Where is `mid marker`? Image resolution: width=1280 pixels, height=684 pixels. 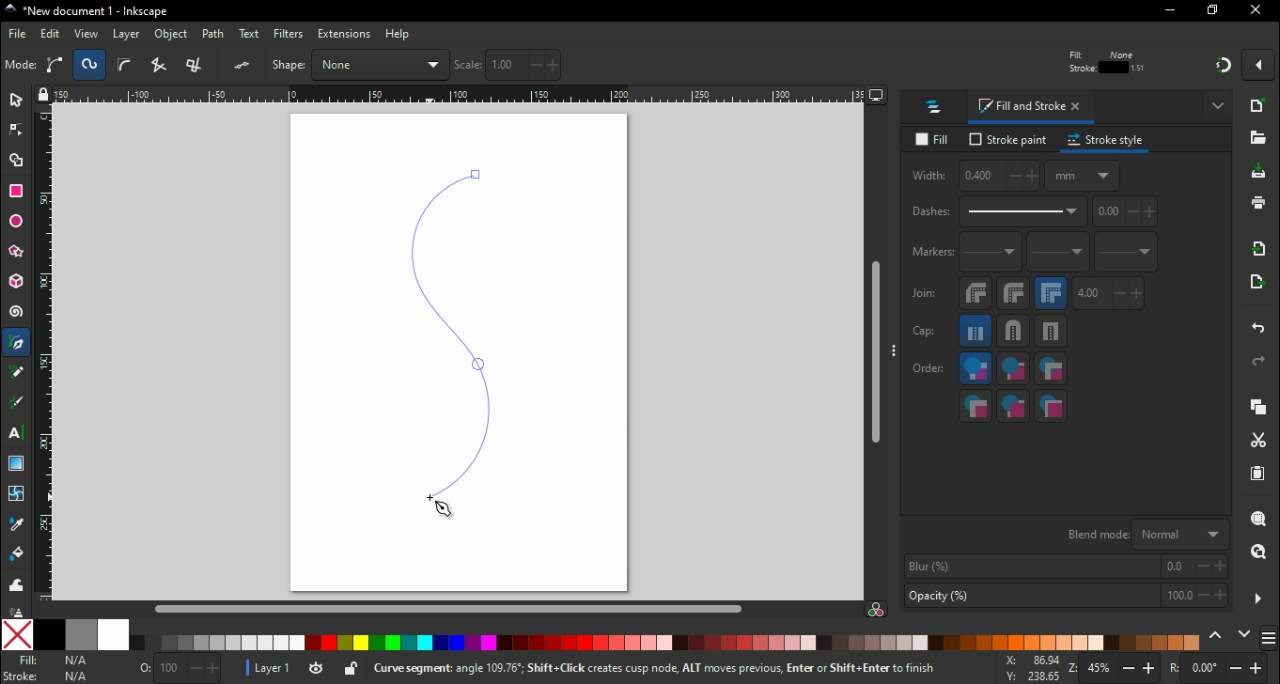
mid marker is located at coordinates (1061, 256).